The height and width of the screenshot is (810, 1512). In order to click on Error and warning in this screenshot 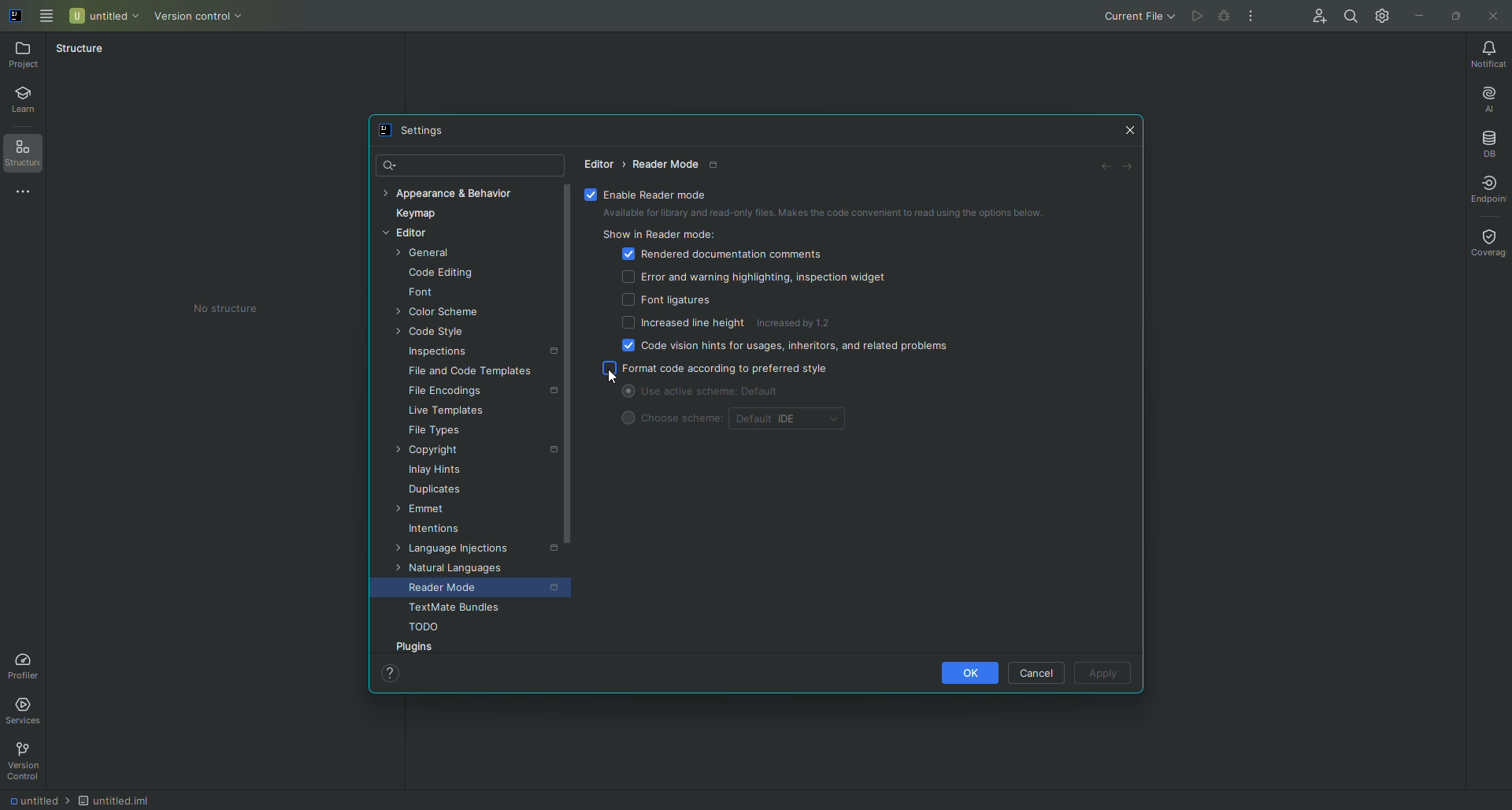, I will do `click(754, 278)`.